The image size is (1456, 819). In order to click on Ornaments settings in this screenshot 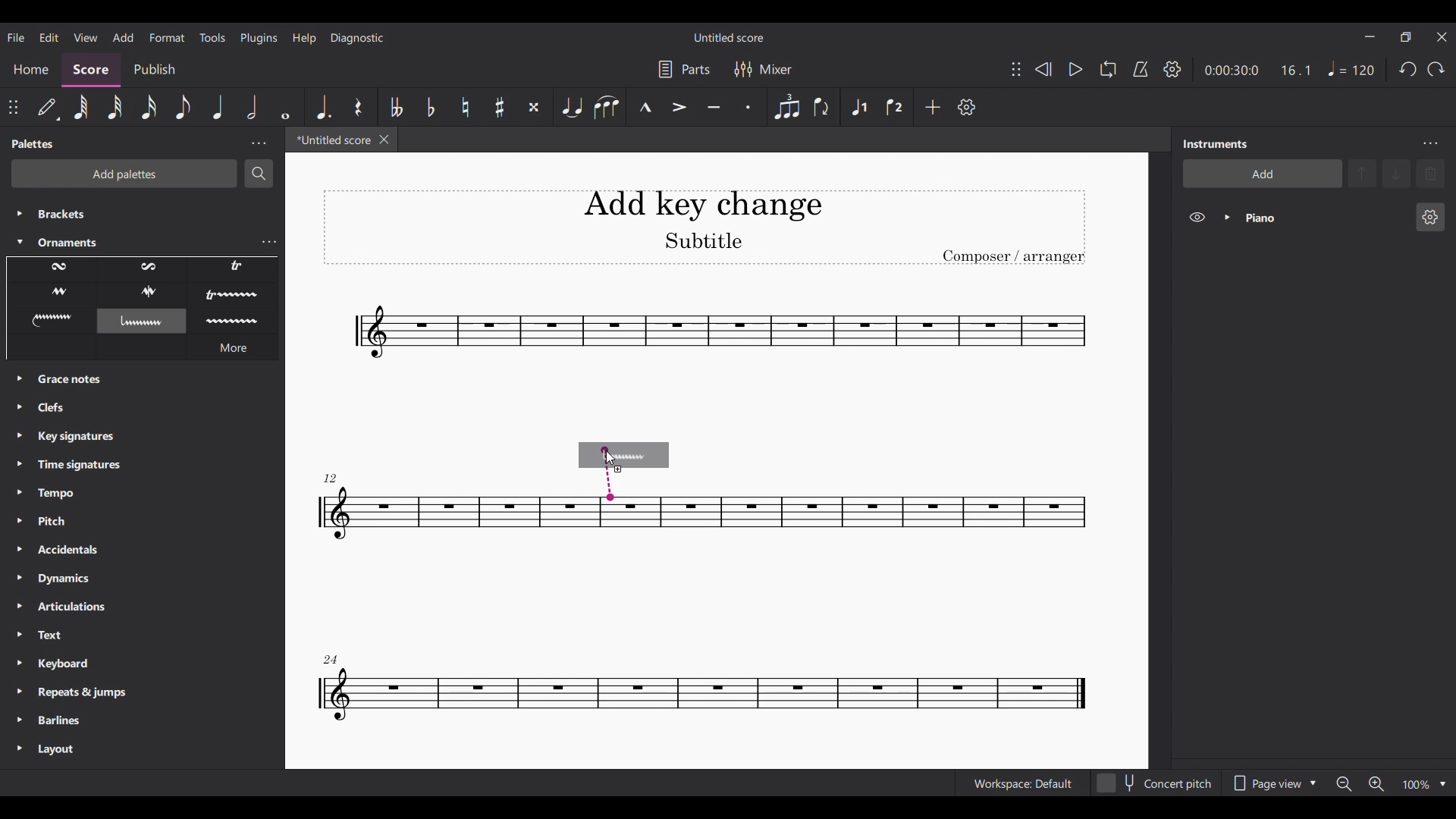, I will do `click(268, 243)`.